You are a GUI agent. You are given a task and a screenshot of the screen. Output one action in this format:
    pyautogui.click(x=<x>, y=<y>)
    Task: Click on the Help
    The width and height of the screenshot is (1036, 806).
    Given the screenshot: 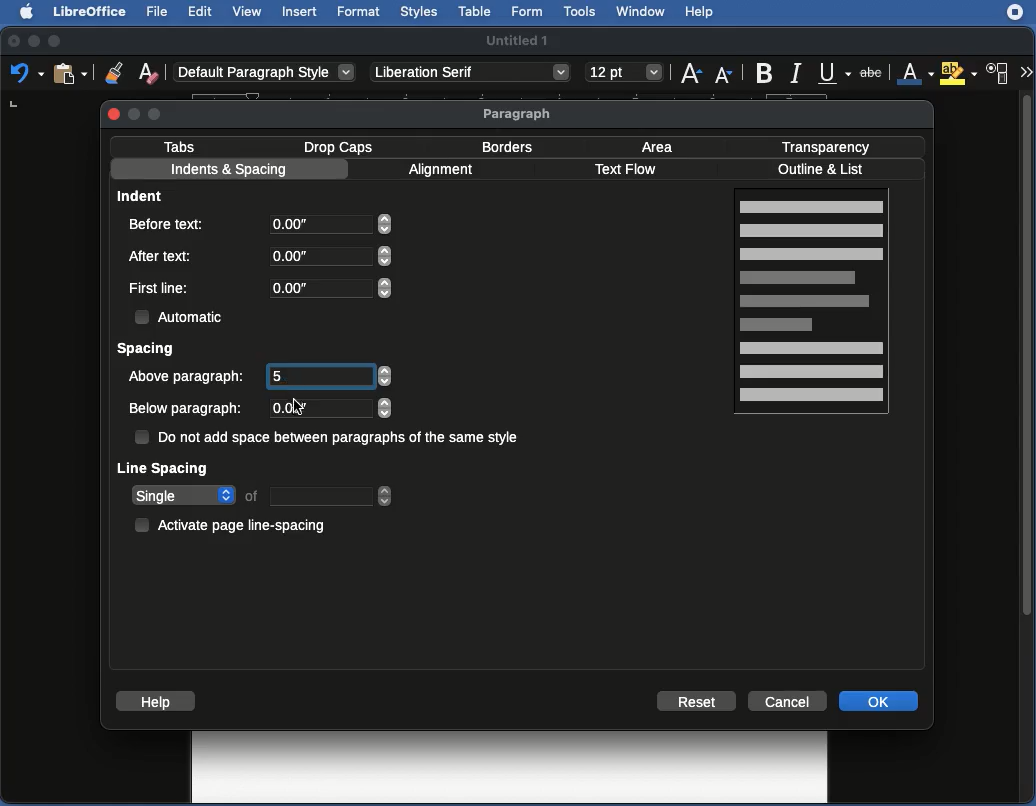 What is the action you would take?
    pyautogui.click(x=155, y=701)
    